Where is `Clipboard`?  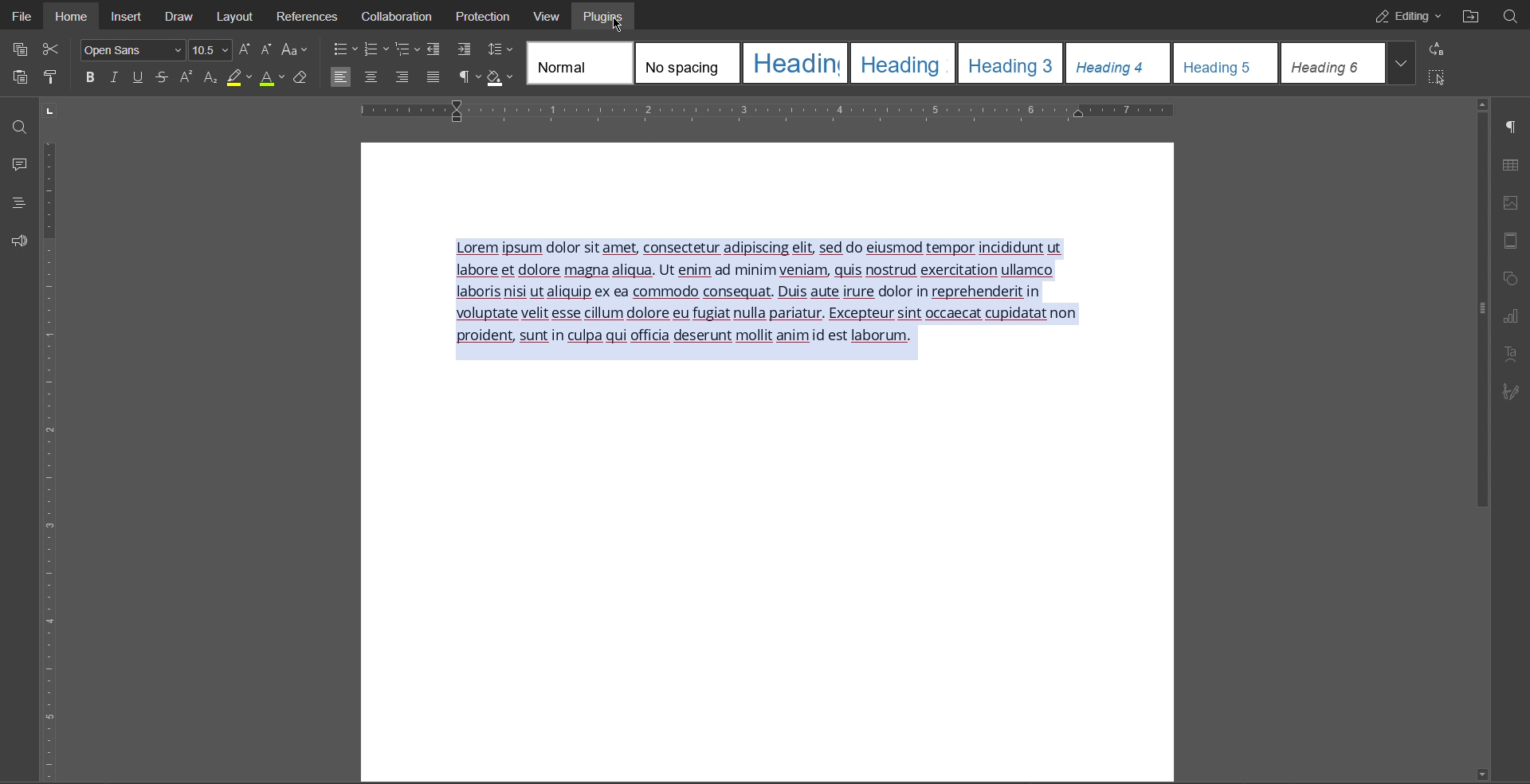 Clipboard is located at coordinates (18, 78).